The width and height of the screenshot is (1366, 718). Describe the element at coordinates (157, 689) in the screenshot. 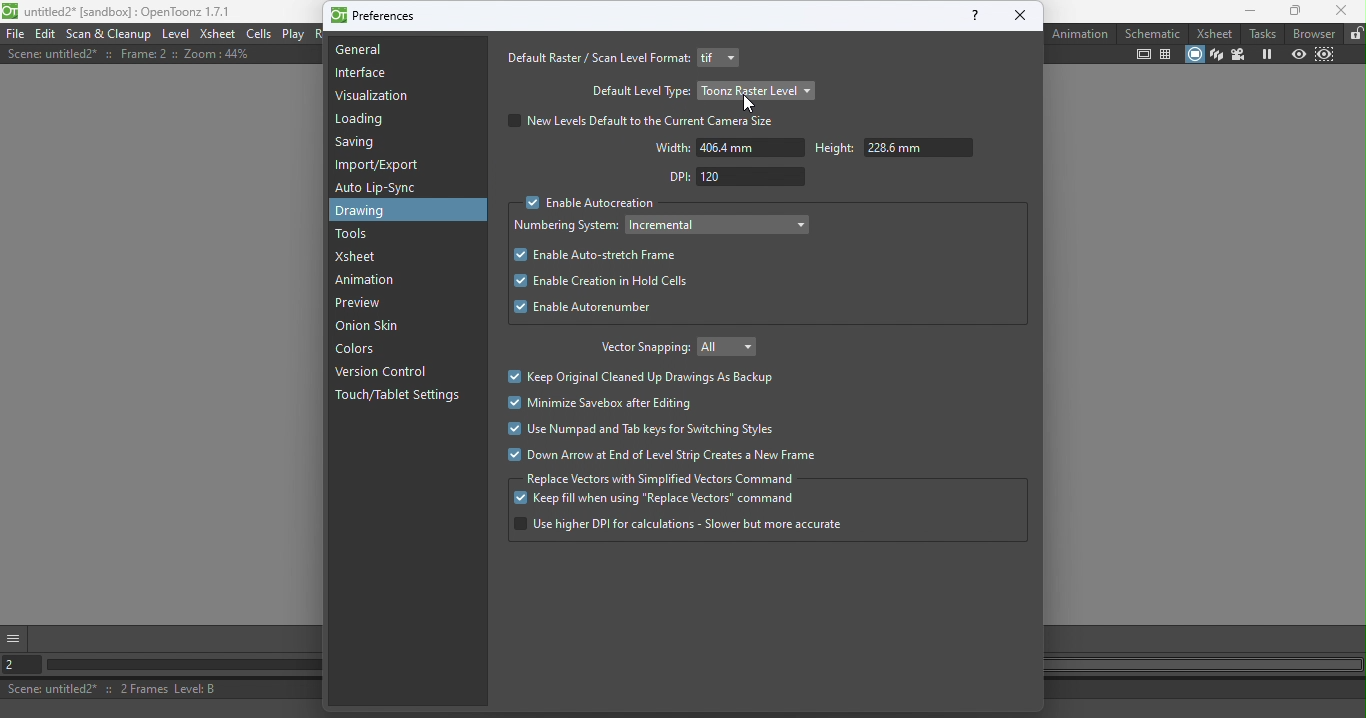

I see `Scene: untitled2* :: 2 Frames Level: B` at that location.